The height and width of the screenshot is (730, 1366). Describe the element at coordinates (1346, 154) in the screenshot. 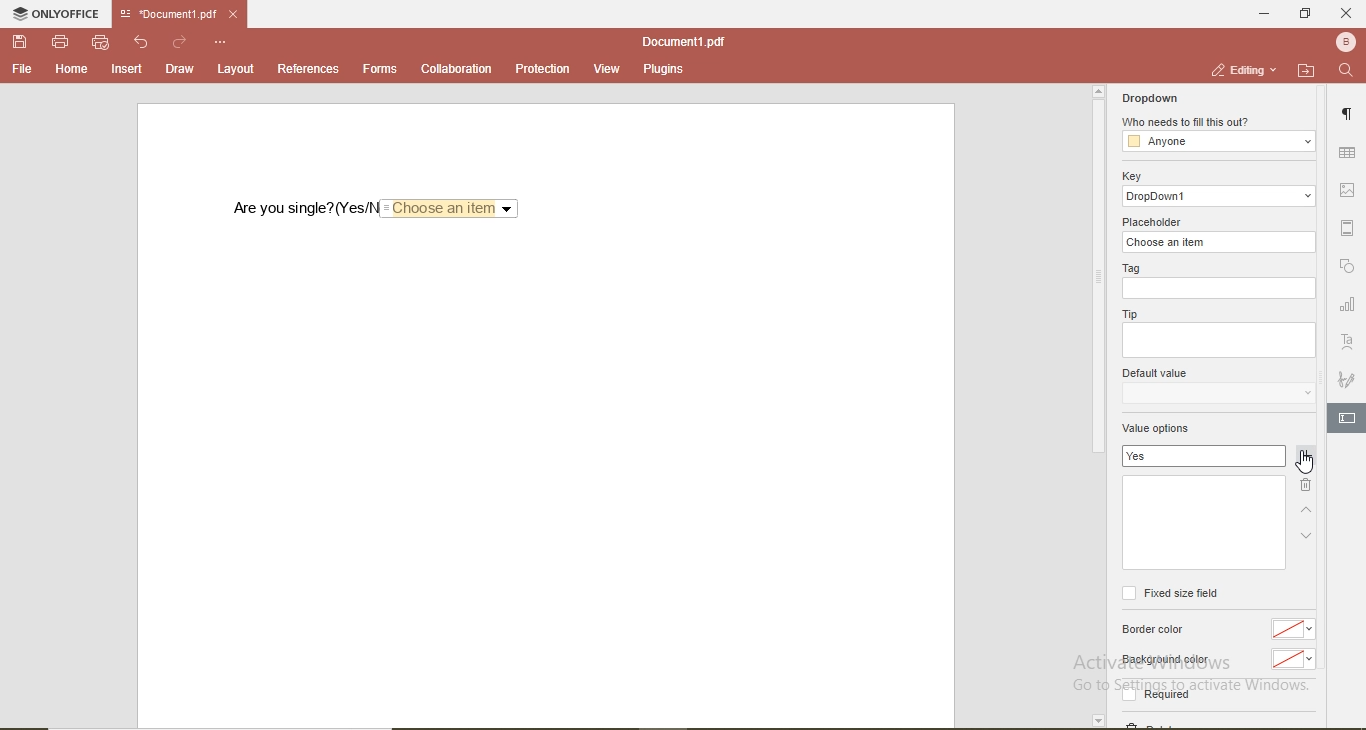

I see `table` at that location.